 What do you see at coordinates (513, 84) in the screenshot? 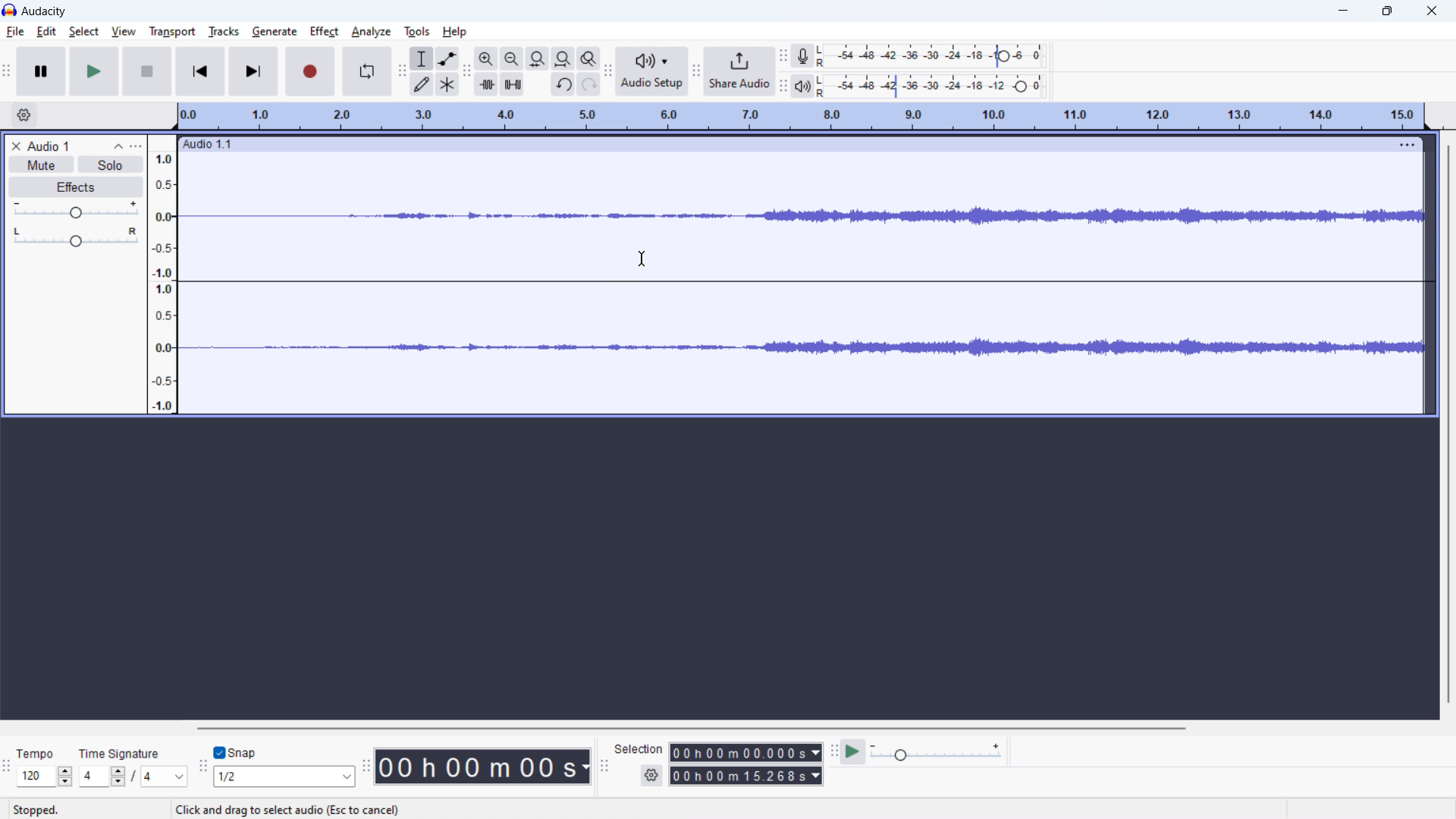
I see `silence audio selection` at bounding box center [513, 84].